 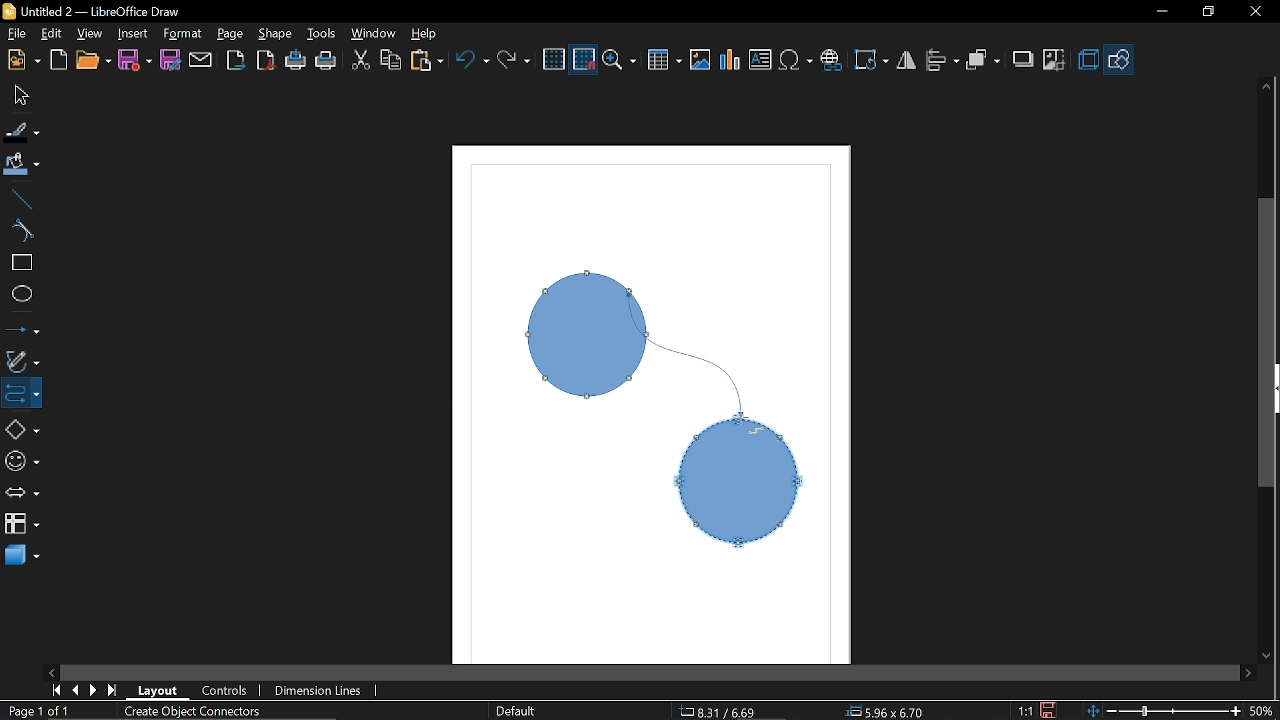 I want to click on Current page, so click(x=38, y=712).